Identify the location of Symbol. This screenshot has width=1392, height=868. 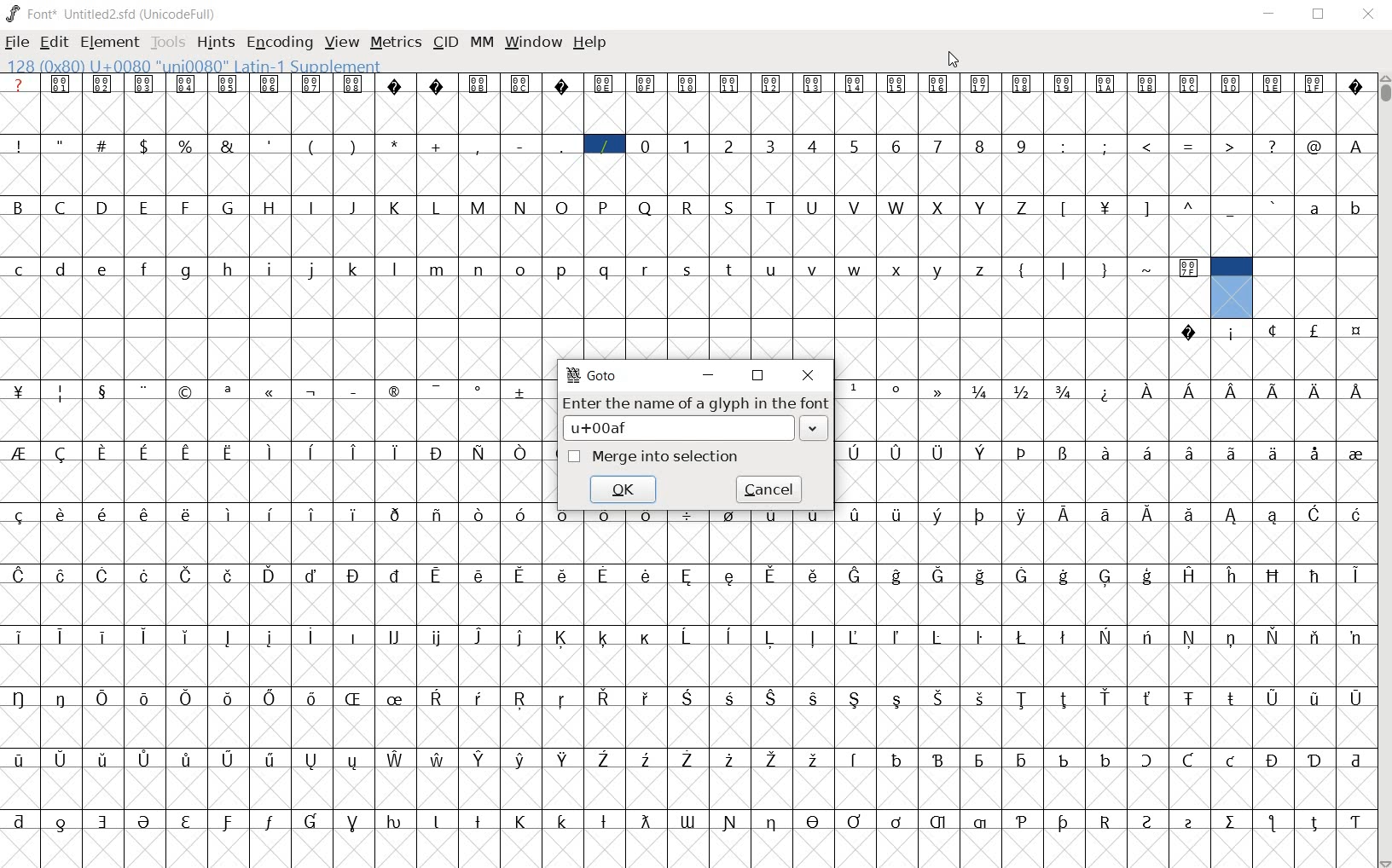
(603, 638).